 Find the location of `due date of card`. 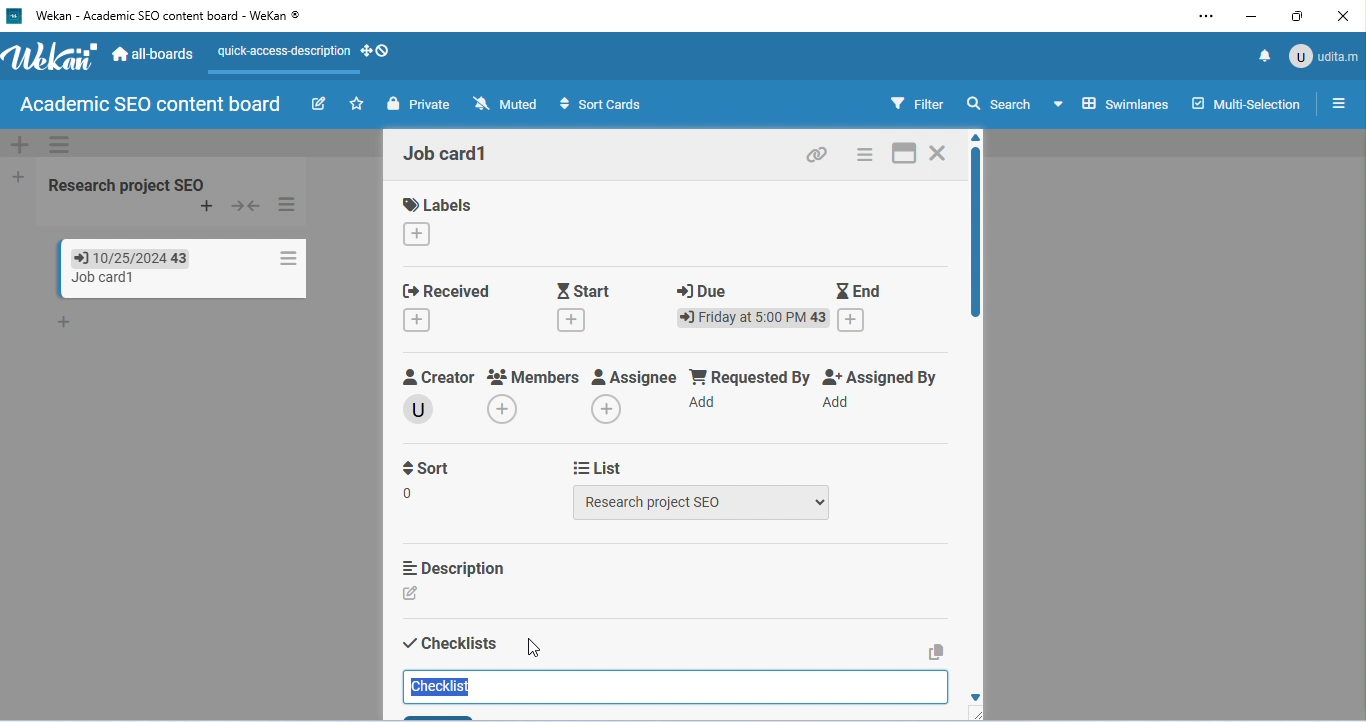

due date of card is located at coordinates (120, 257).